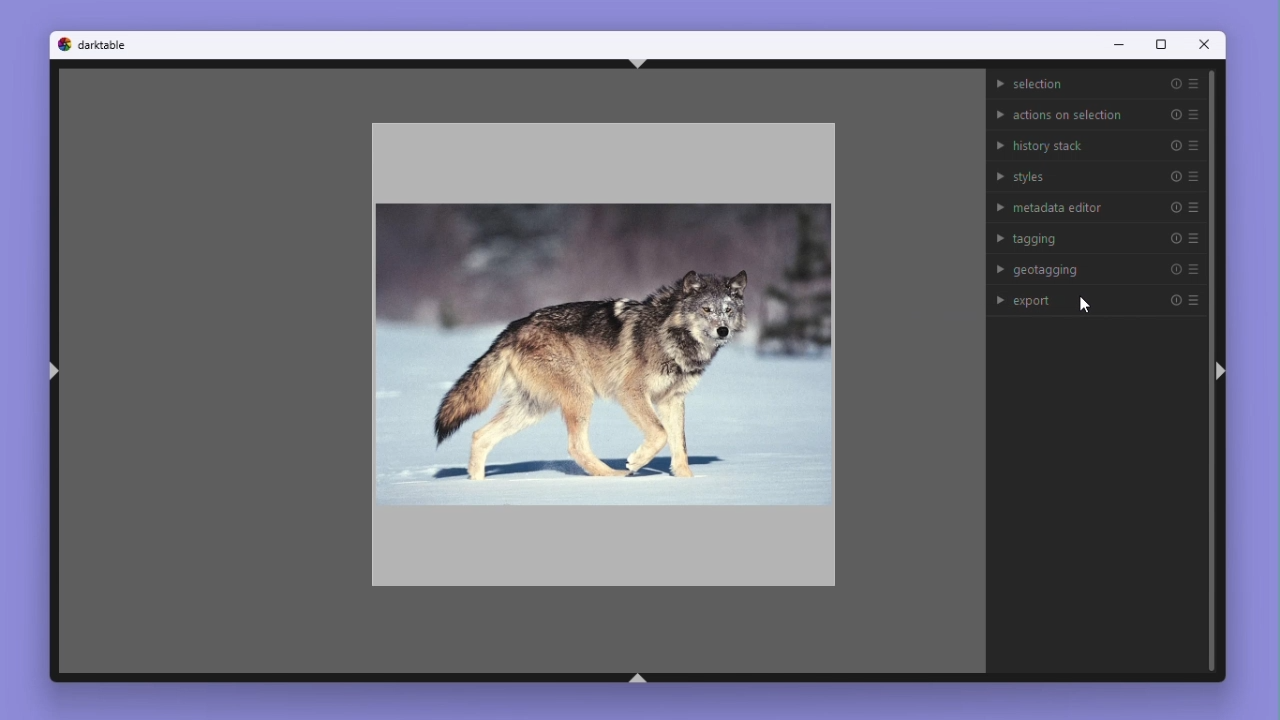 The width and height of the screenshot is (1280, 720). Describe the element at coordinates (1098, 301) in the screenshot. I see `Export` at that location.